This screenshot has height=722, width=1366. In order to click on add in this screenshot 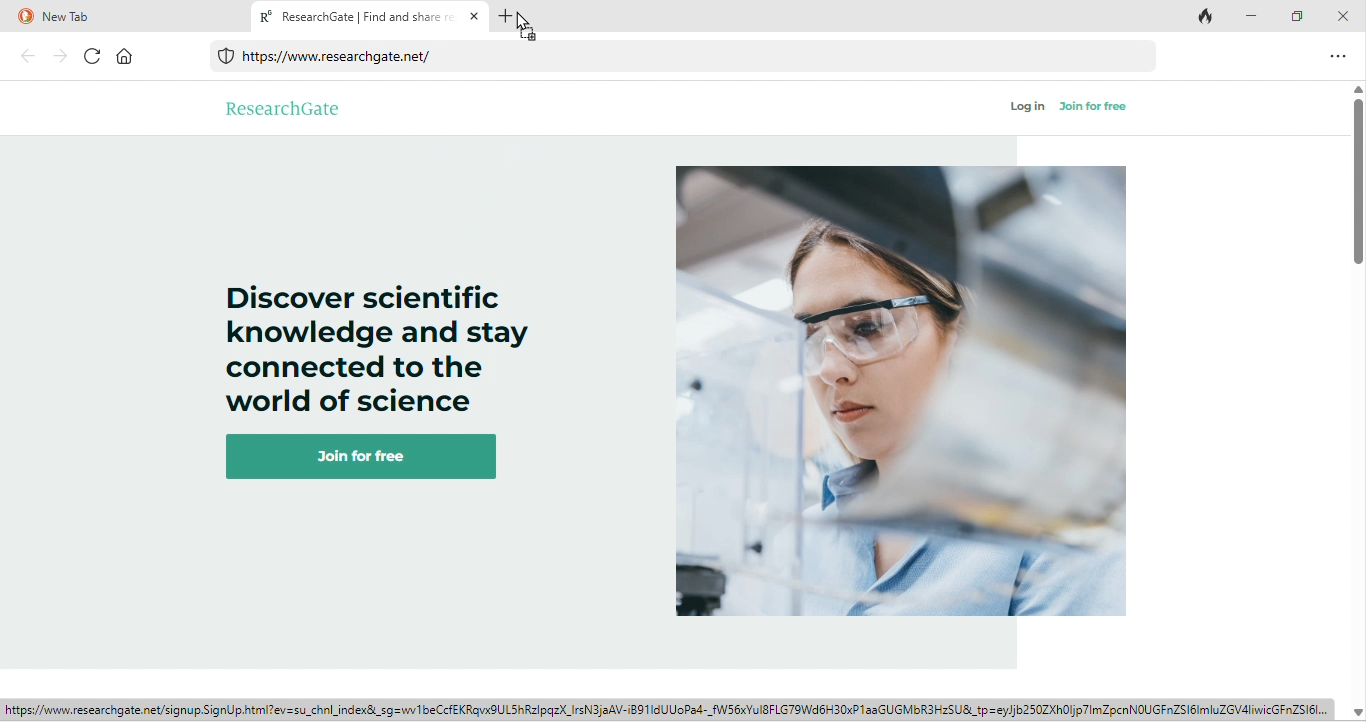, I will do `click(514, 15)`.